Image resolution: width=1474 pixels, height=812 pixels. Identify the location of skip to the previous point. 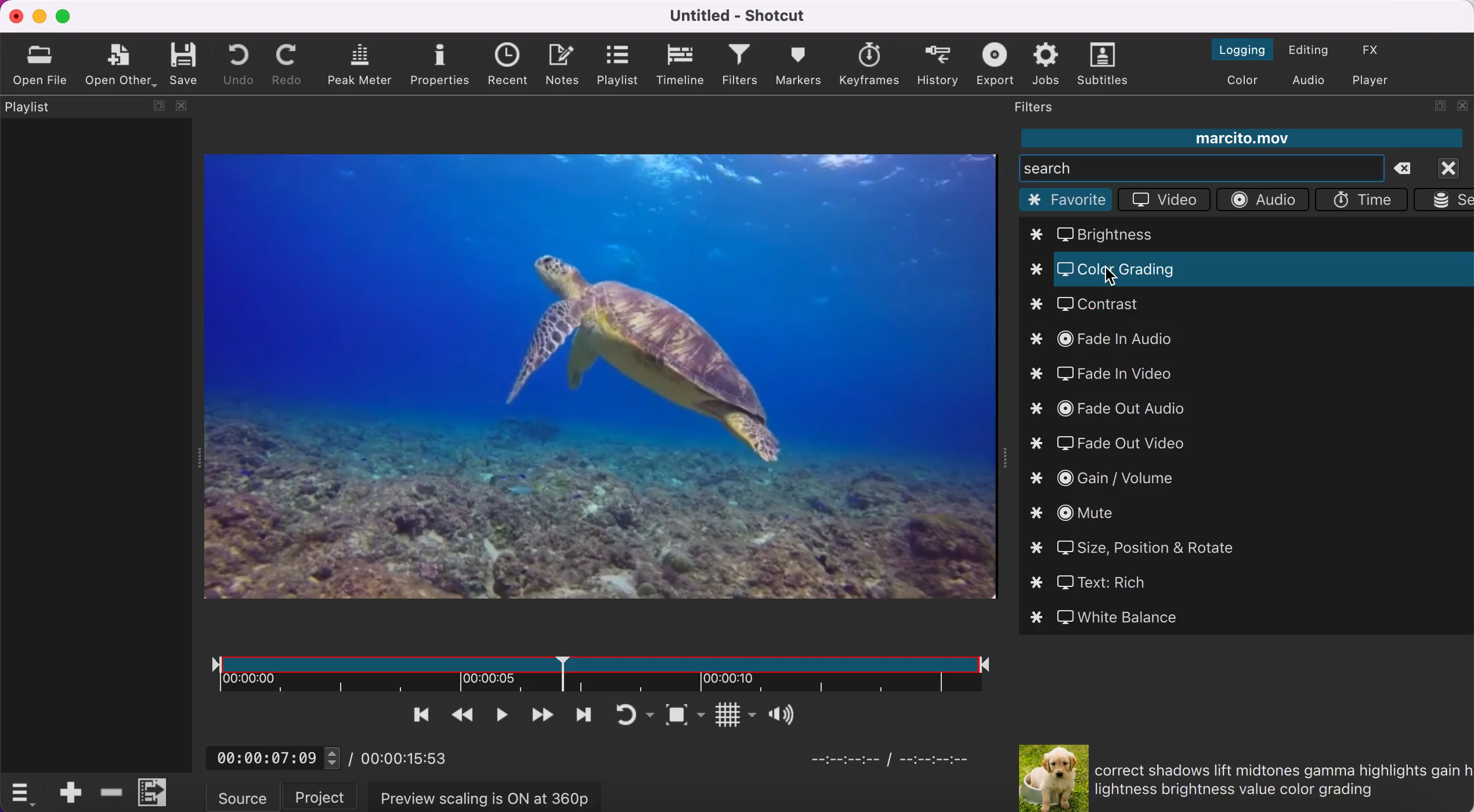
(414, 715).